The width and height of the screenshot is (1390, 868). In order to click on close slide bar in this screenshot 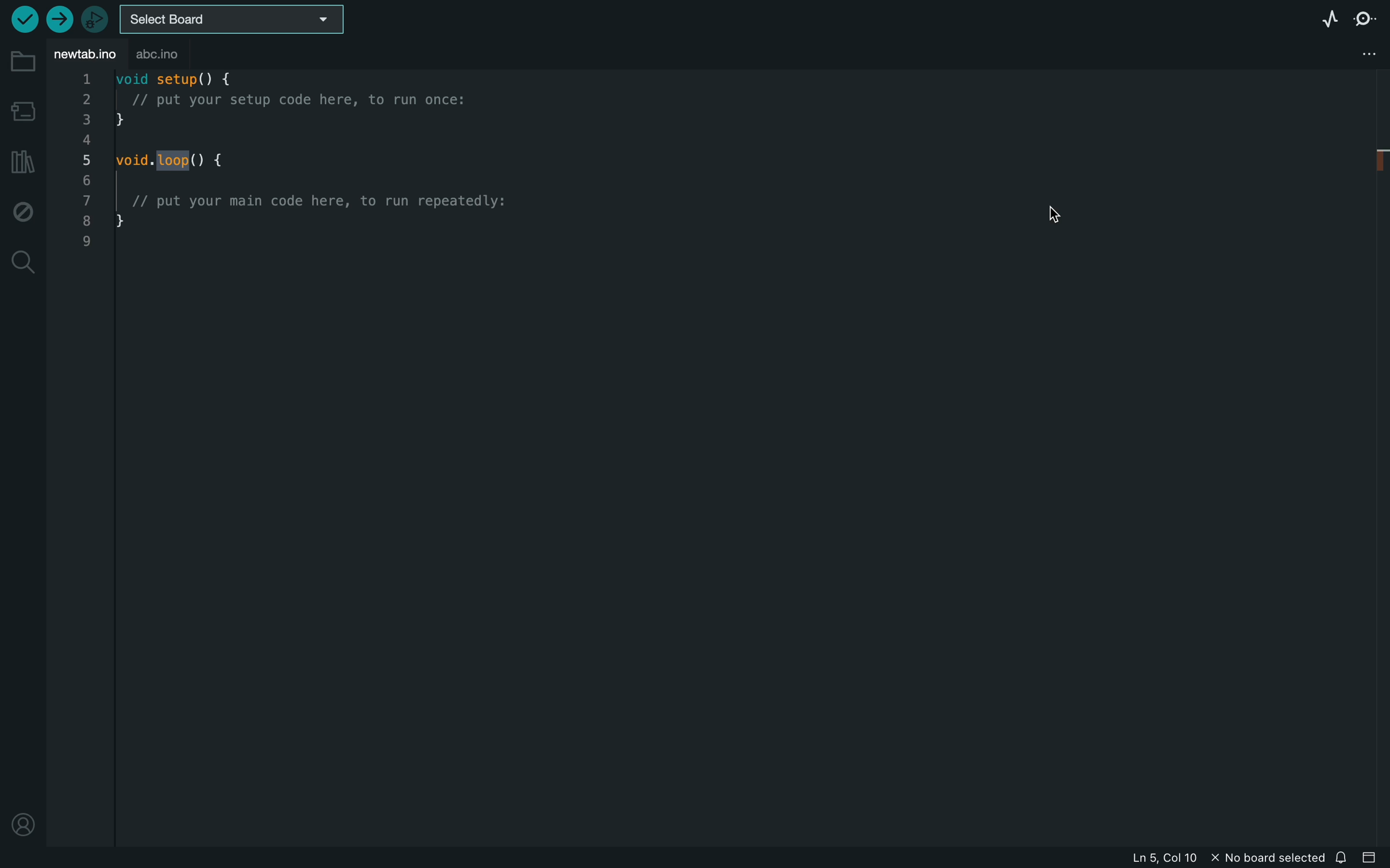, I will do `click(1371, 859)`.